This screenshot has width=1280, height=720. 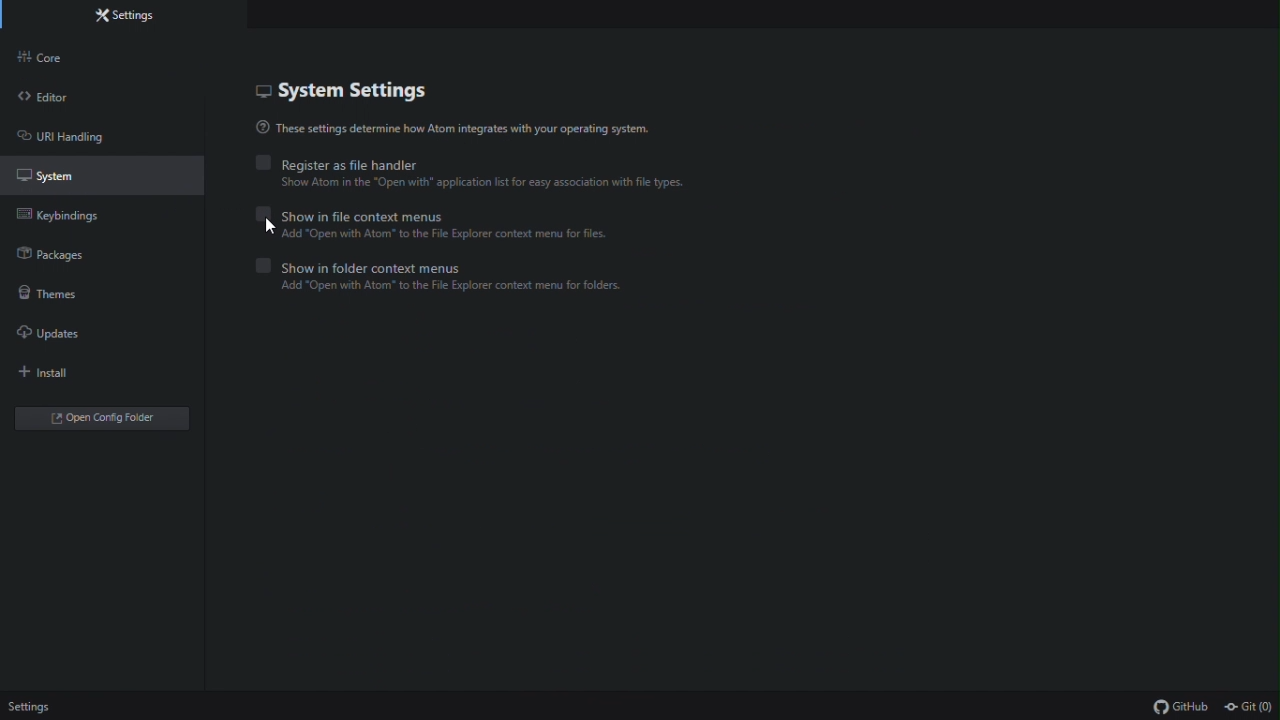 I want to click on  These settings determine how Atom integrates with your operating system., so click(x=455, y=129).